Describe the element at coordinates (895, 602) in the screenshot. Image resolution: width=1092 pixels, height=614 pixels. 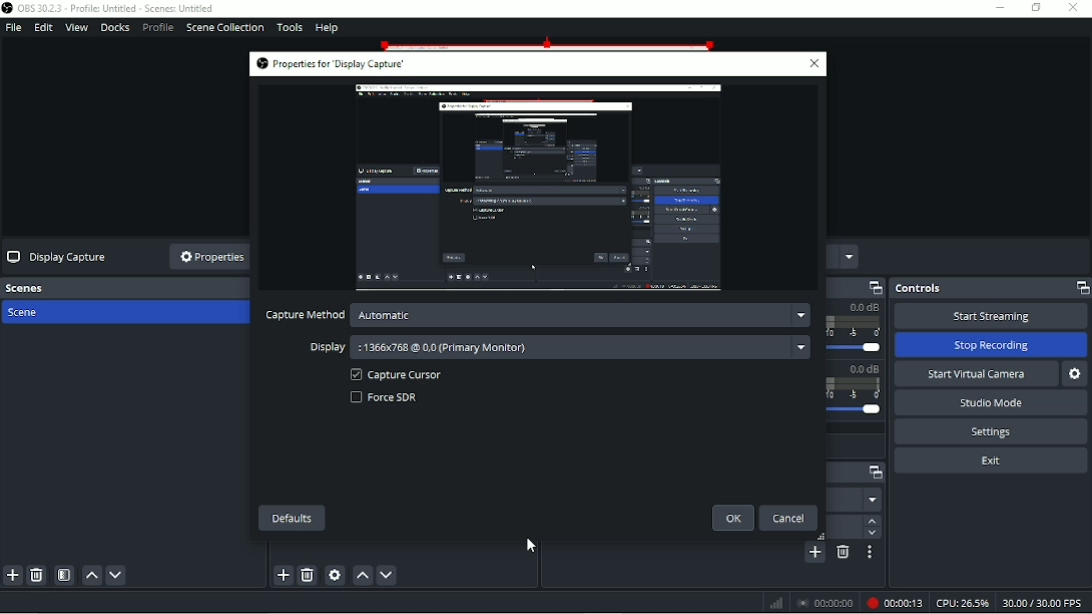
I see `Recording 00:00:13` at that location.